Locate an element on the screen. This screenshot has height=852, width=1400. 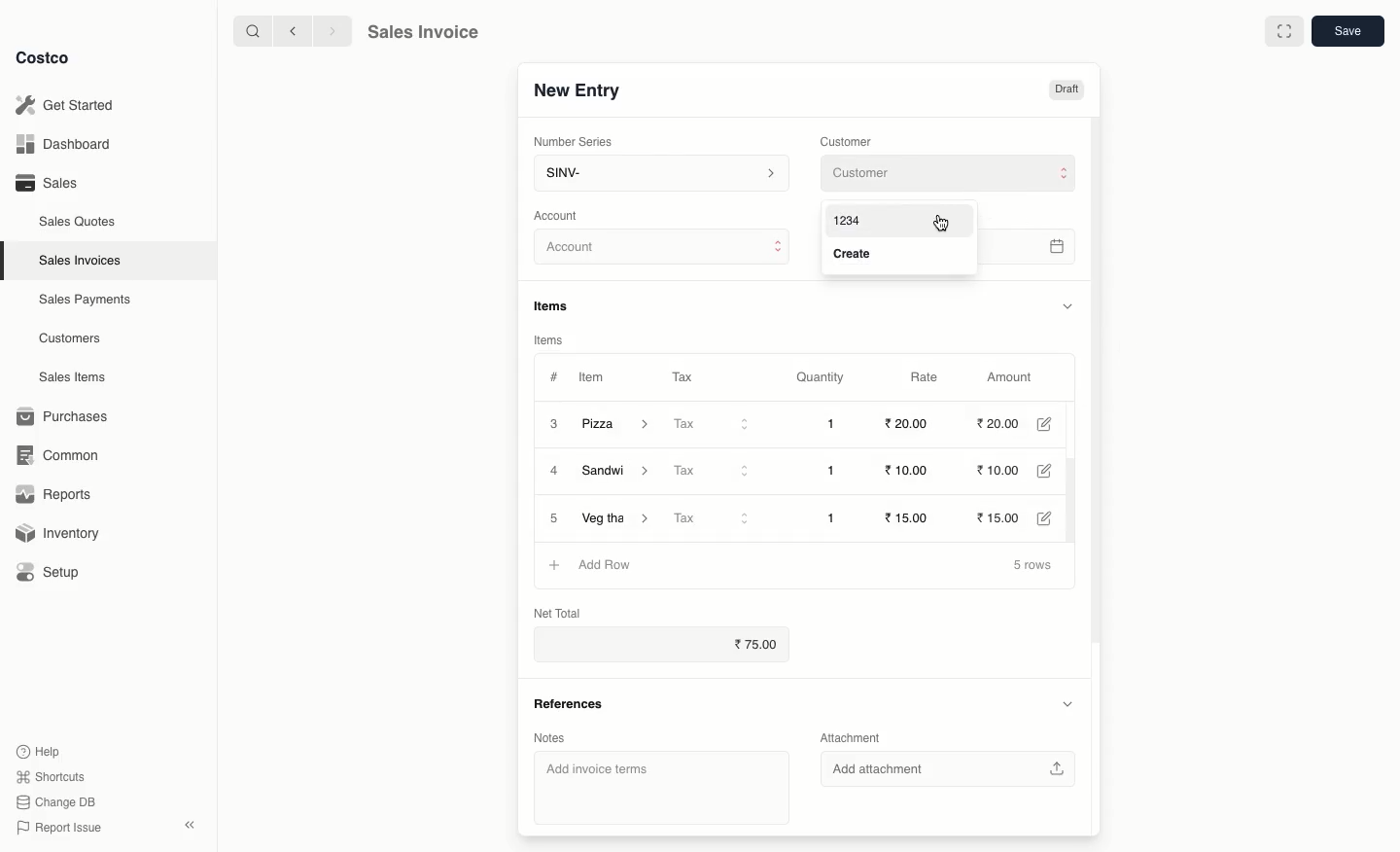
1 is located at coordinates (834, 516).